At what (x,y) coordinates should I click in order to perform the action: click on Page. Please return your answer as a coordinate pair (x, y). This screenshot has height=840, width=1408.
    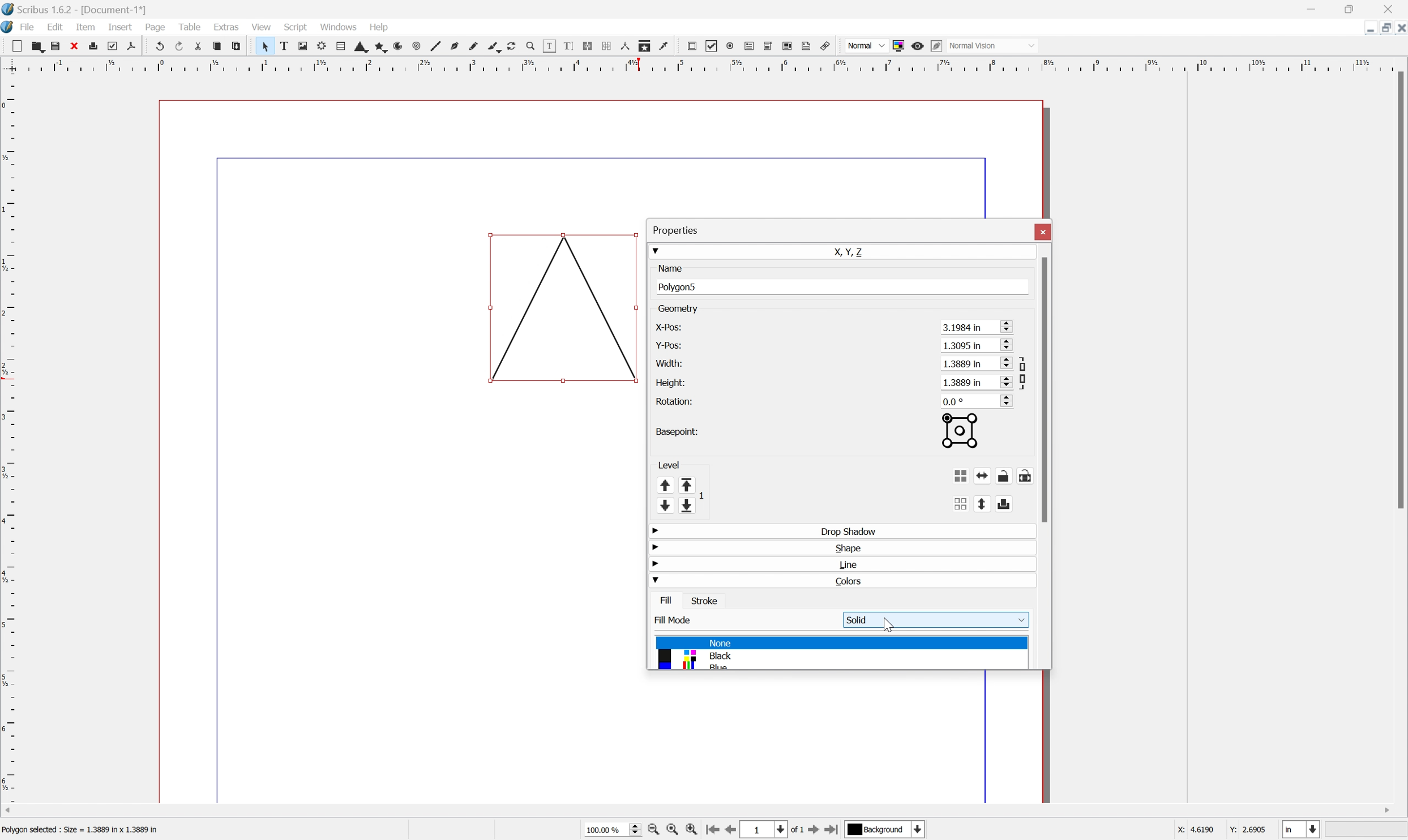
    Looking at the image, I should click on (155, 27).